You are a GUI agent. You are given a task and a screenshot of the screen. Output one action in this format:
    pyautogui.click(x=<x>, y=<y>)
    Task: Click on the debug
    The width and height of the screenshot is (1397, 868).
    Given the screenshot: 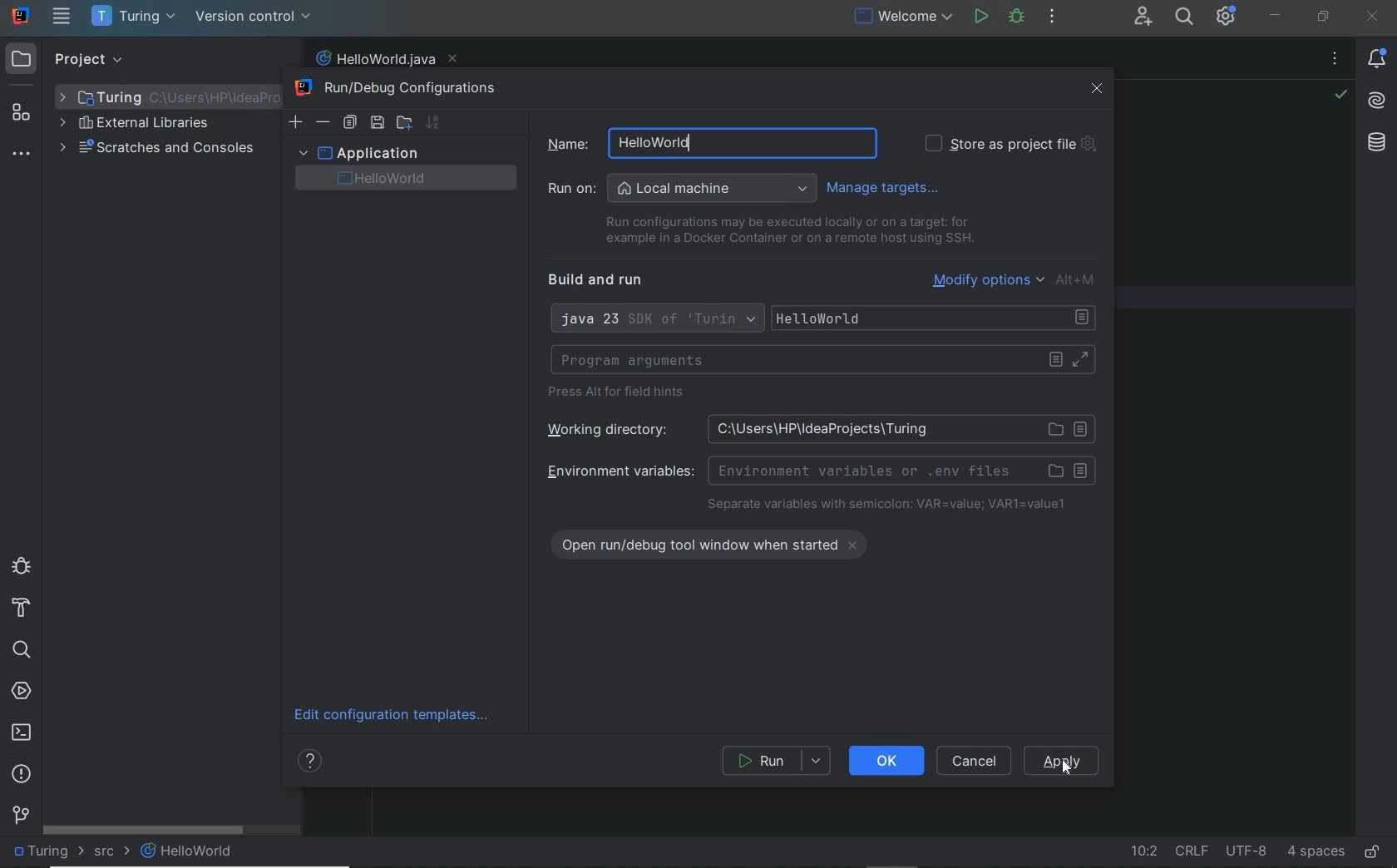 What is the action you would take?
    pyautogui.click(x=21, y=565)
    